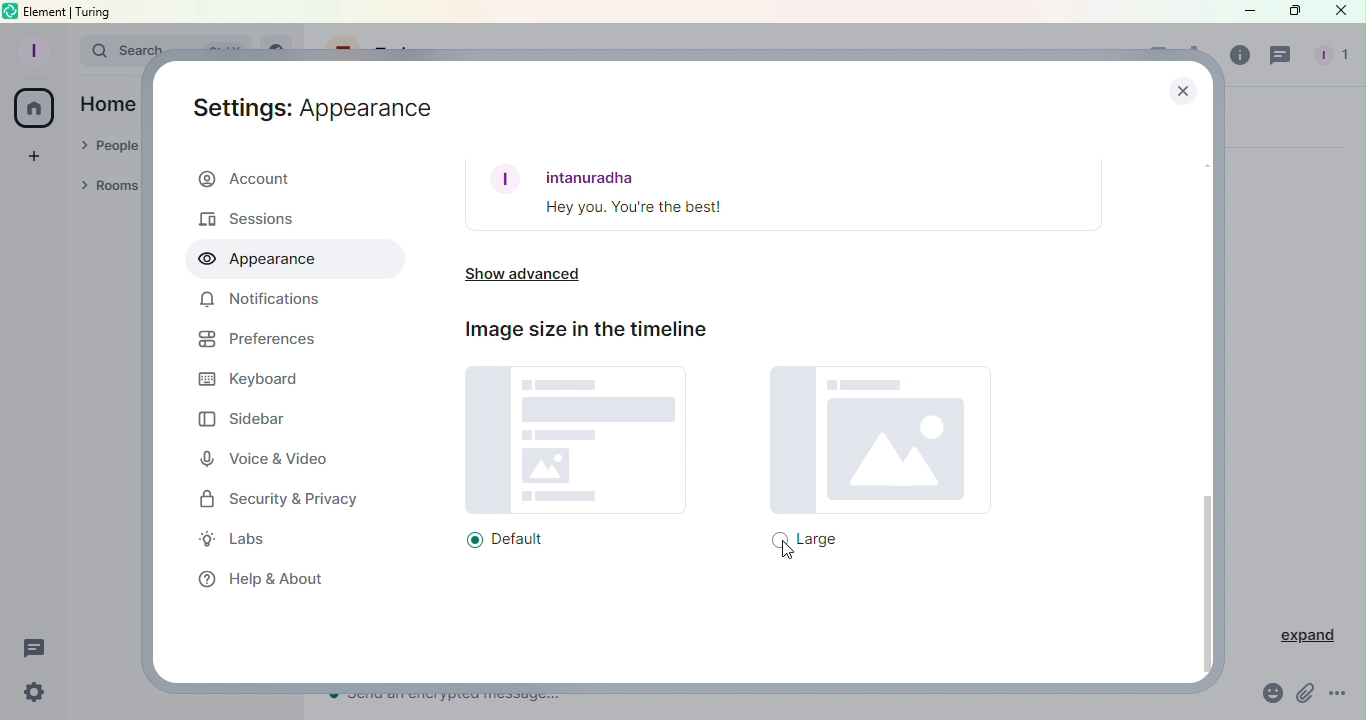  Describe the element at coordinates (248, 381) in the screenshot. I see `Keyboard` at that location.